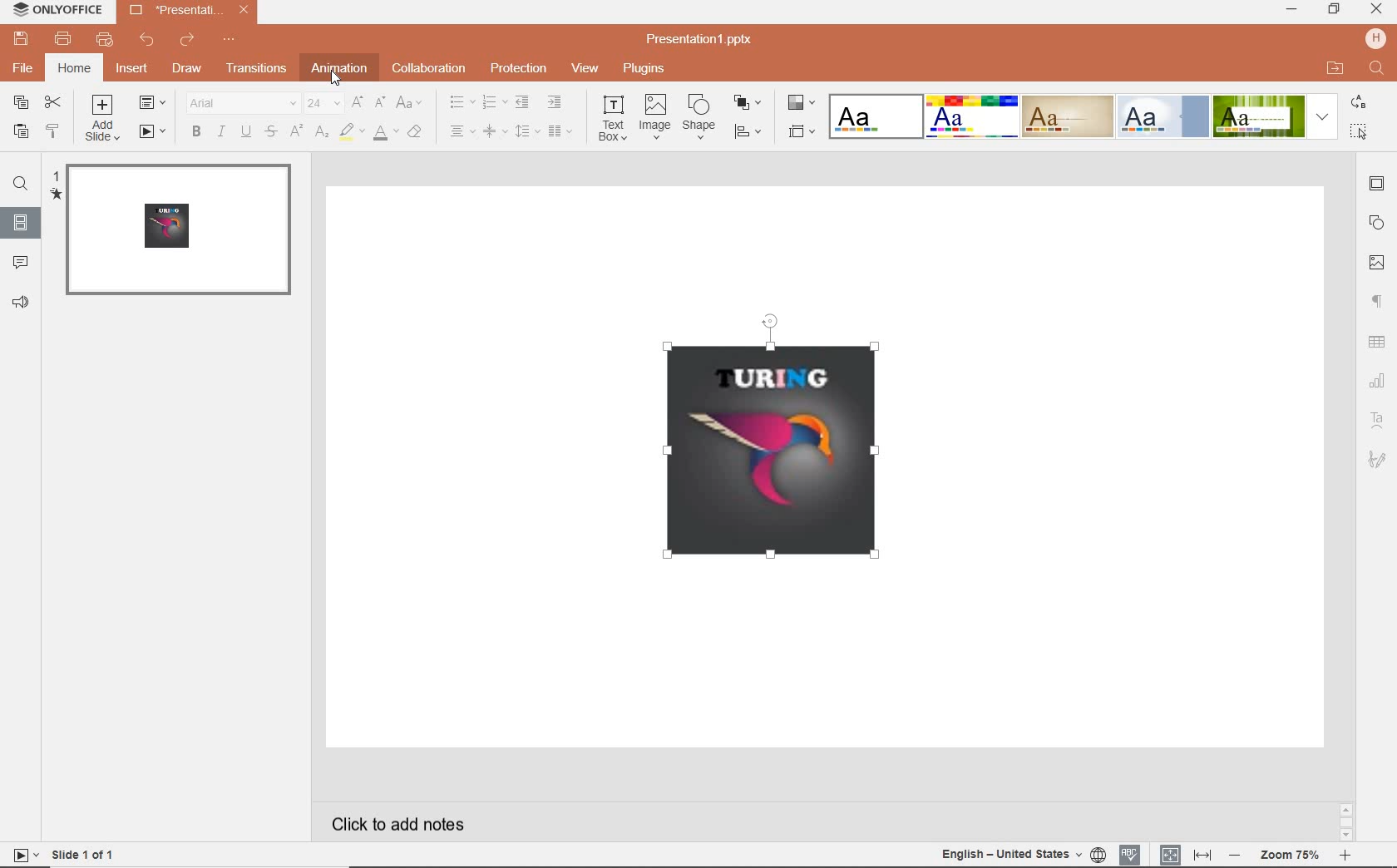 The image size is (1397, 868). What do you see at coordinates (1163, 117) in the screenshot?
I see `official` at bounding box center [1163, 117].